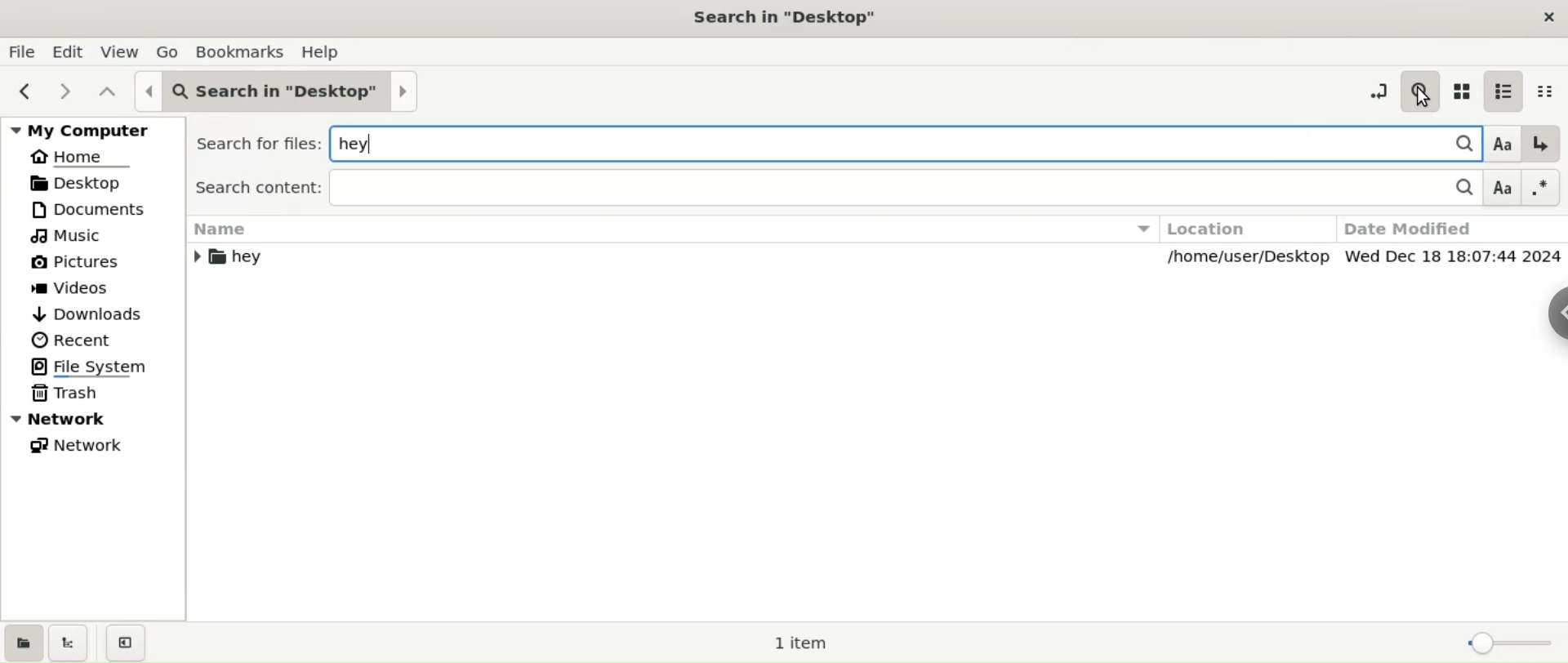 This screenshot has width=1568, height=663. What do you see at coordinates (23, 52) in the screenshot?
I see `file ` at bounding box center [23, 52].